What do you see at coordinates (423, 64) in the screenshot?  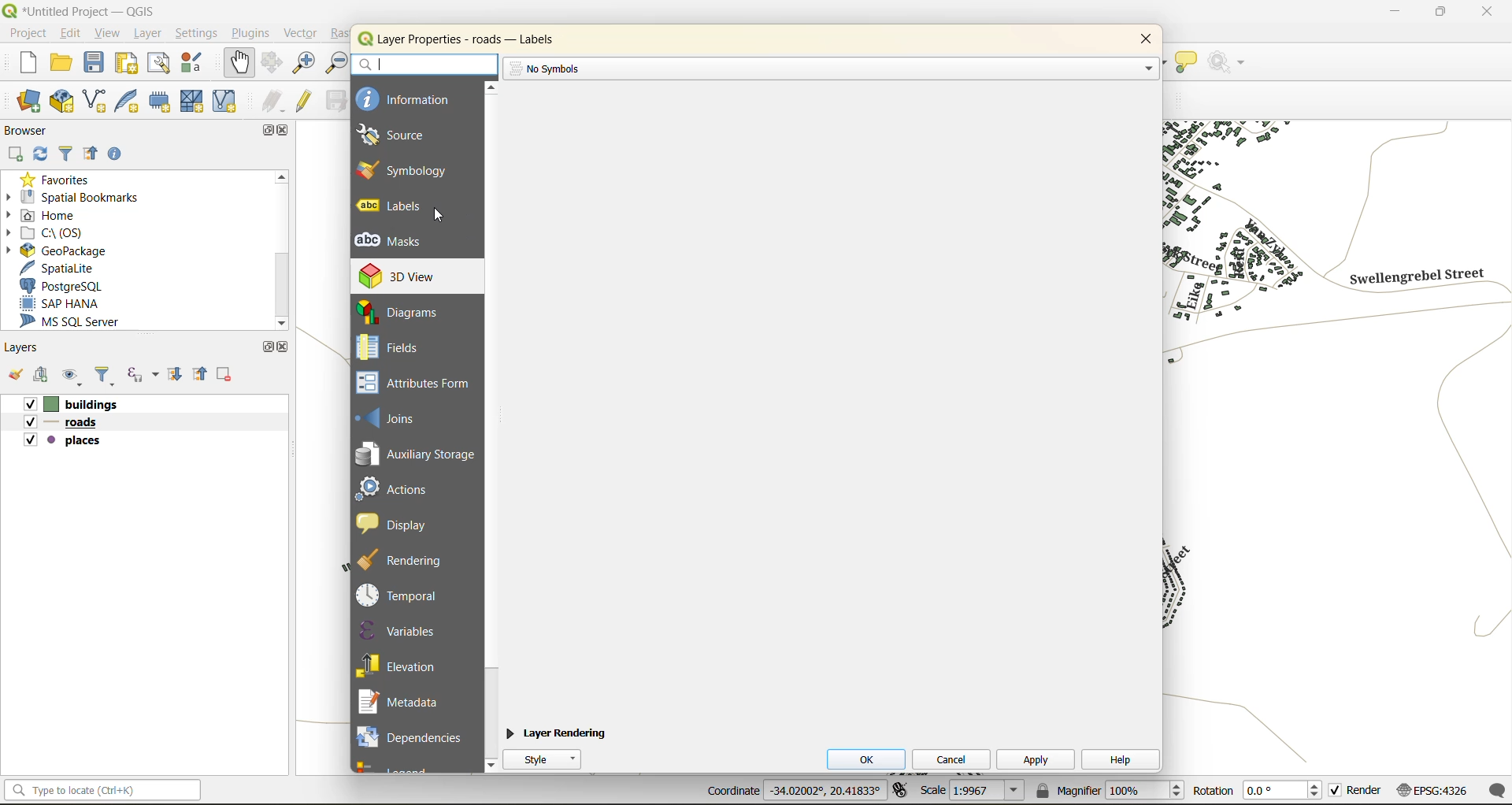 I see `search` at bounding box center [423, 64].